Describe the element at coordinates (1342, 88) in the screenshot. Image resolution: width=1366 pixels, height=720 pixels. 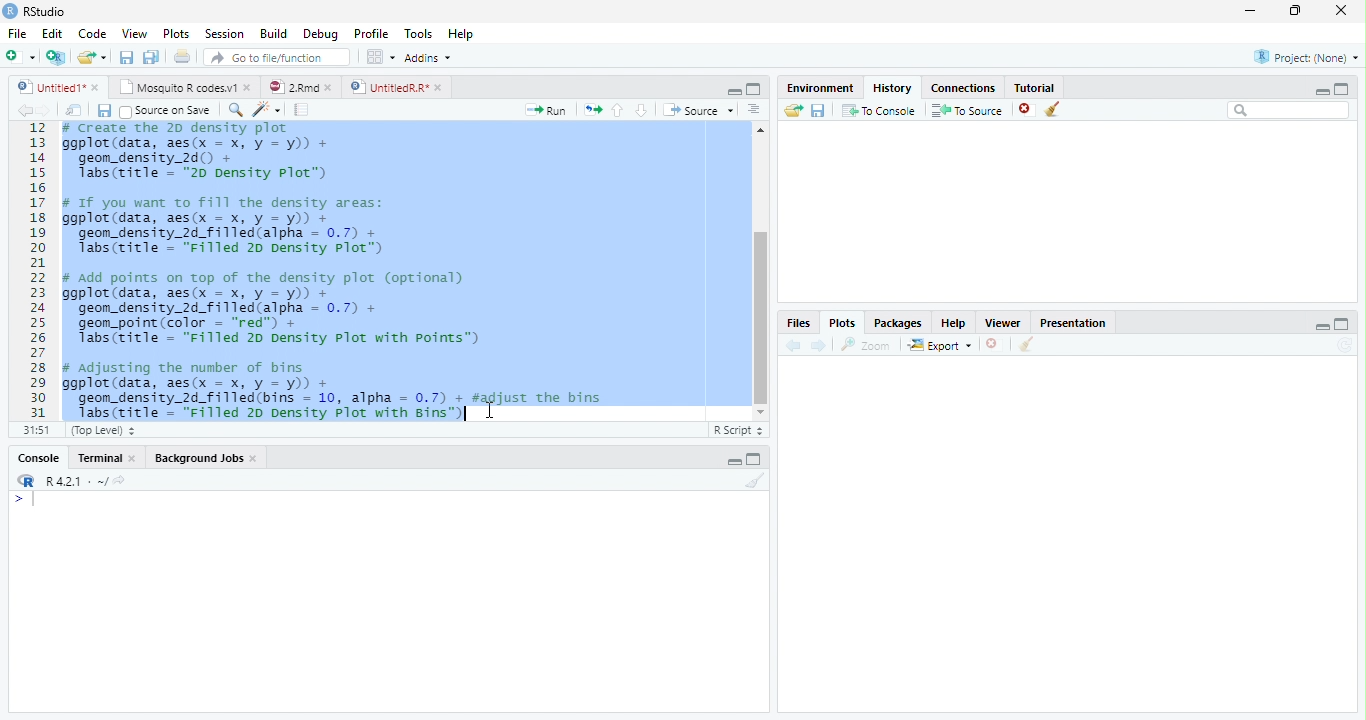
I see `maximize` at that location.